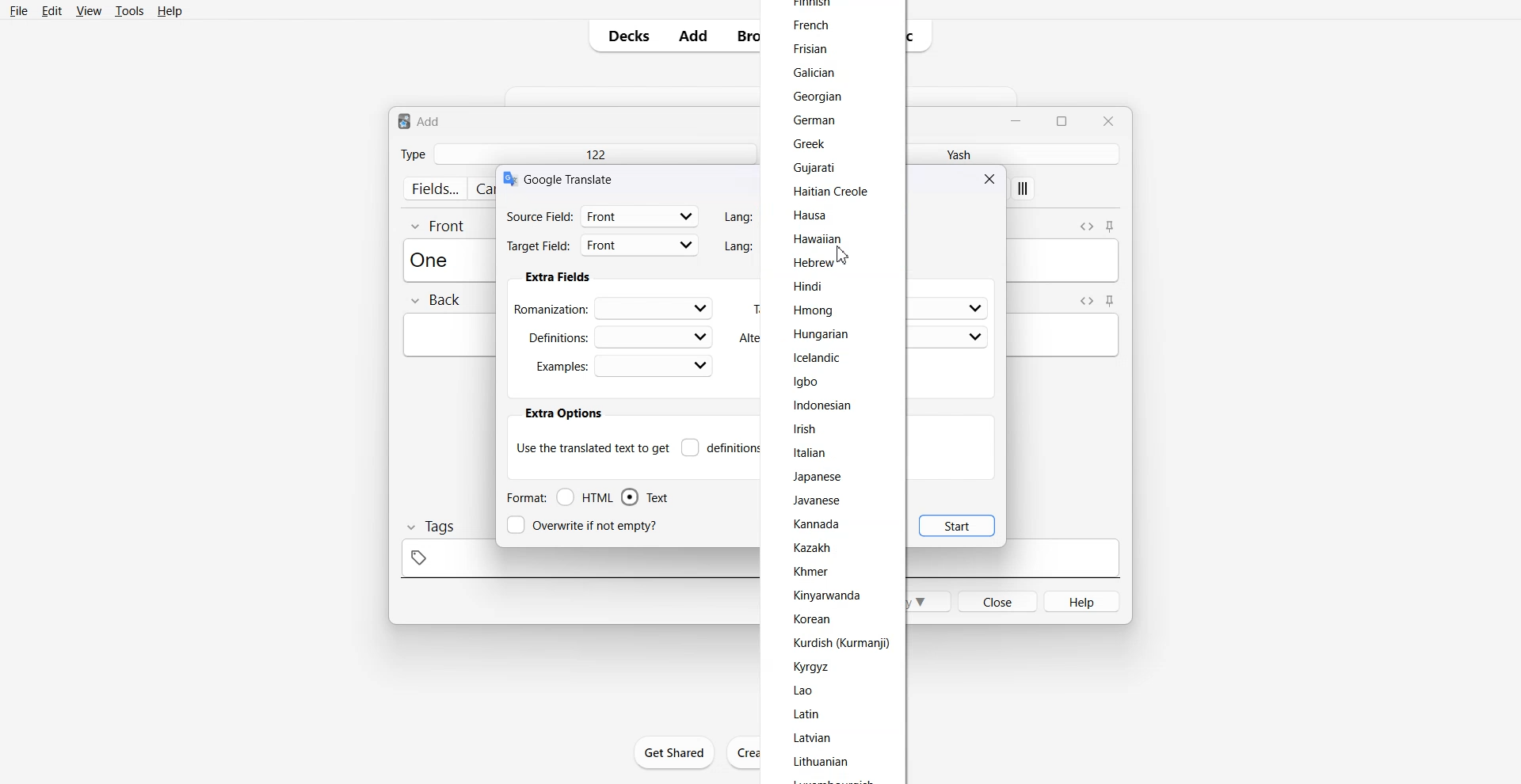 The width and height of the screenshot is (1521, 784). Describe the element at coordinates (736, 246) in the screenshot. I see `Lang:` at that location.